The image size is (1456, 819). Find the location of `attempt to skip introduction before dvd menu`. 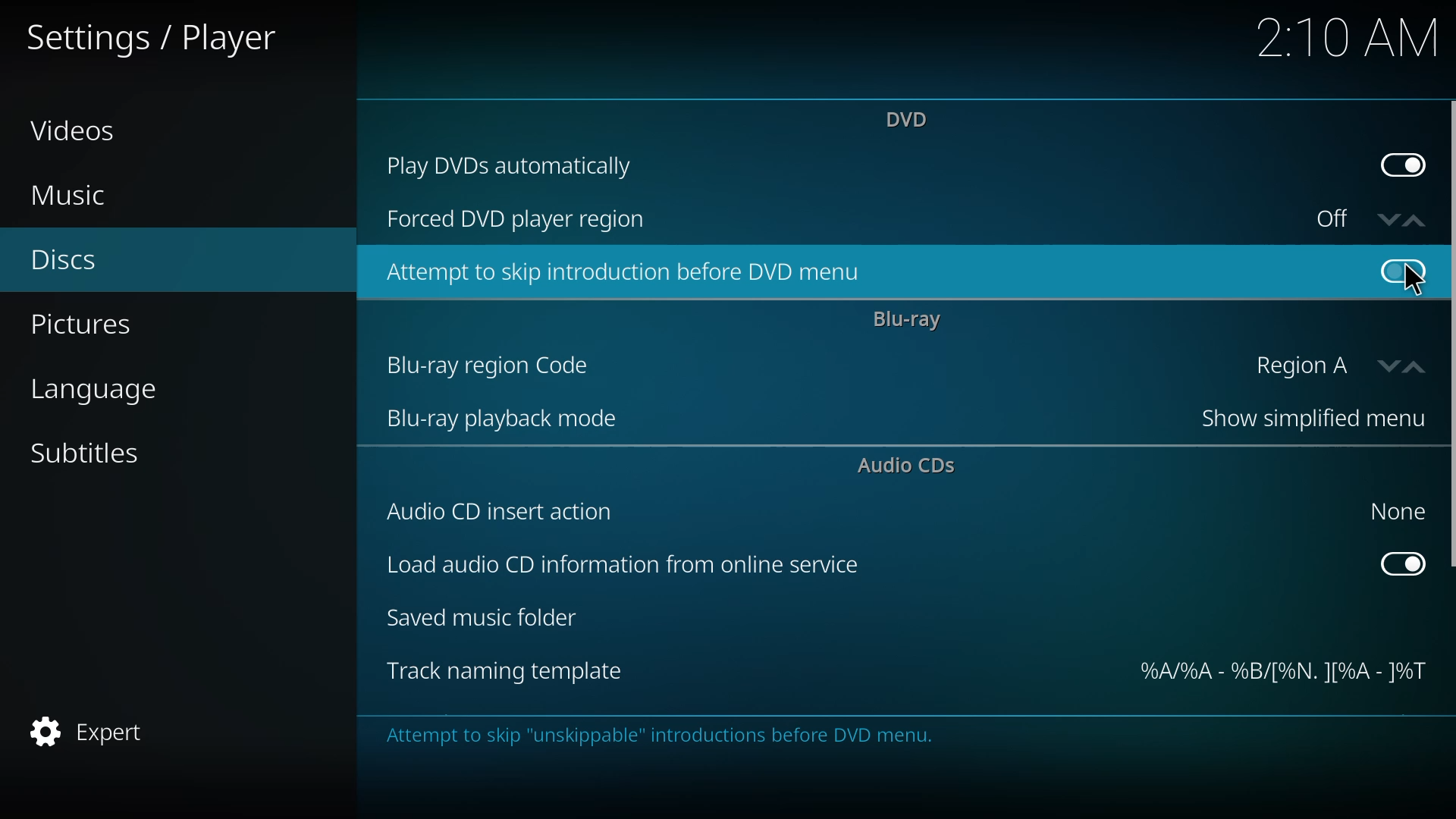

attempt to skip introduction before dvd menu is located at coordinates (639, 271).